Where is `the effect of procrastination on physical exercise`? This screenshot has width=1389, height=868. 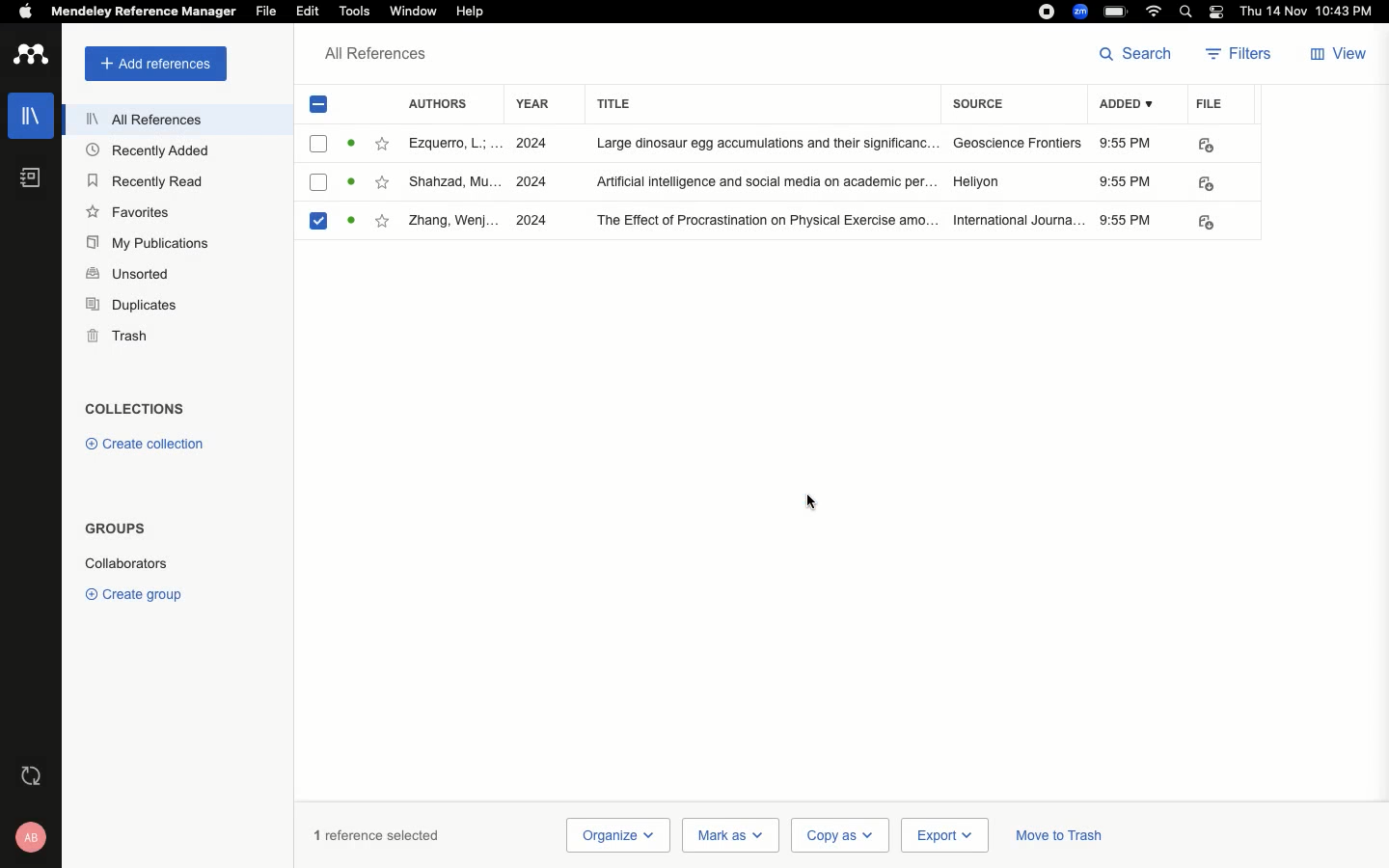 the effect of procrastination on physical exercise is located at coordinates (768, 222).